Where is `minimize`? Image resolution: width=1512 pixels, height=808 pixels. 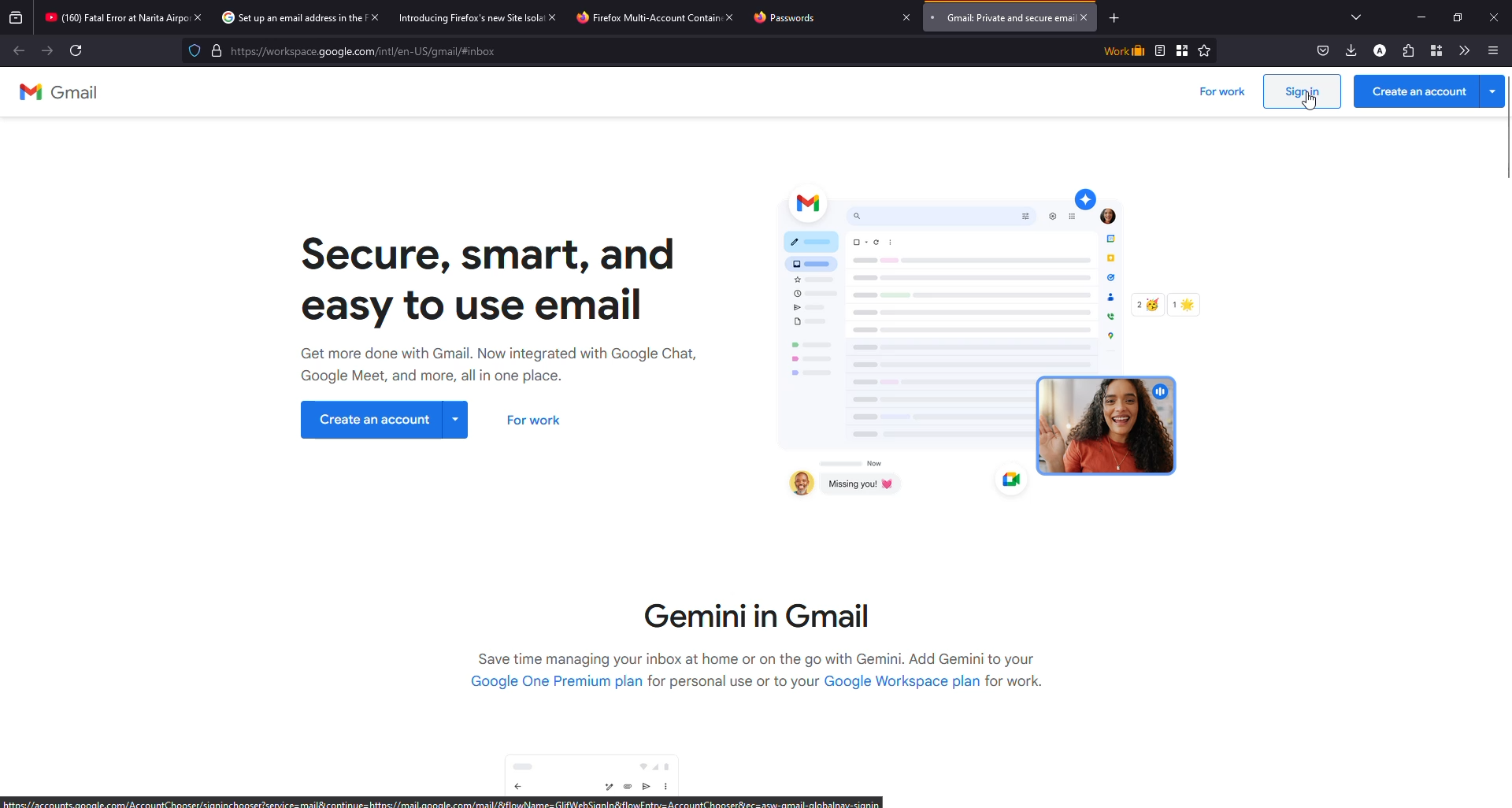
minimize is located at coordinates (1414, 17).